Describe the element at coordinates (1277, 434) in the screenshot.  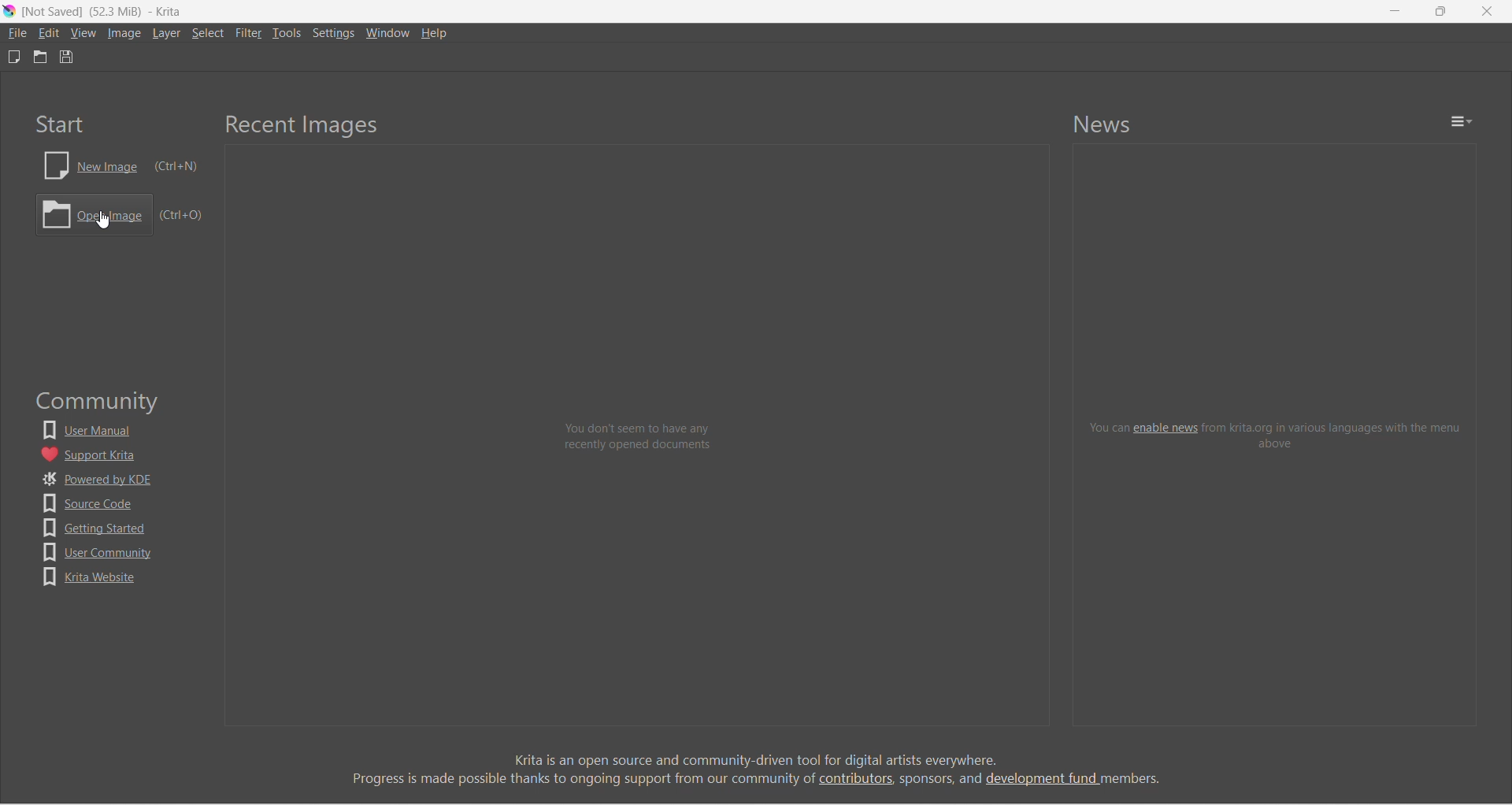
I see `instructions related enabling news` at that location.